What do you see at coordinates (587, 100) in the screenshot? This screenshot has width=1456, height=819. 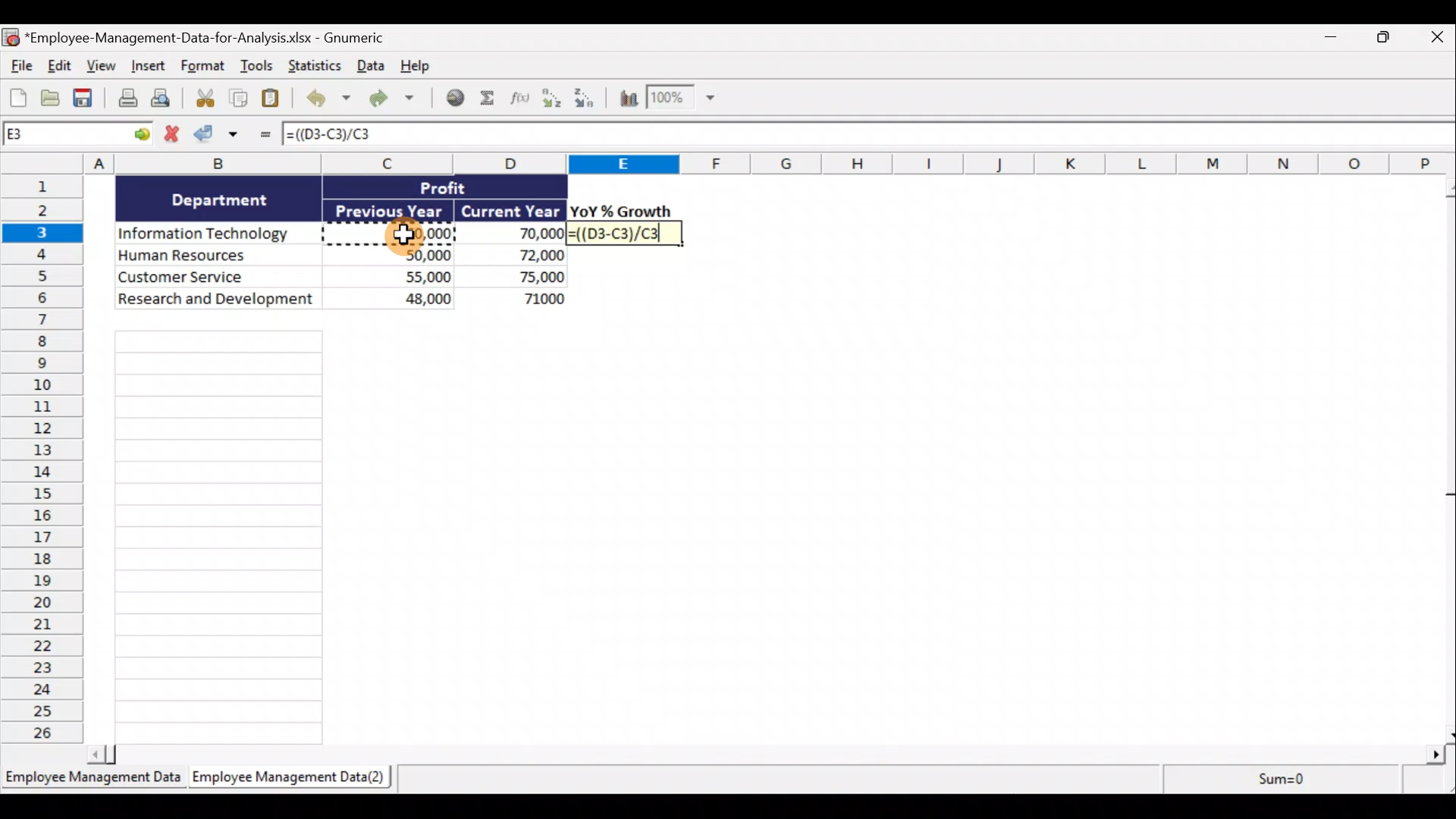 I see `Sort Descending` at bounding box center [587, 100].